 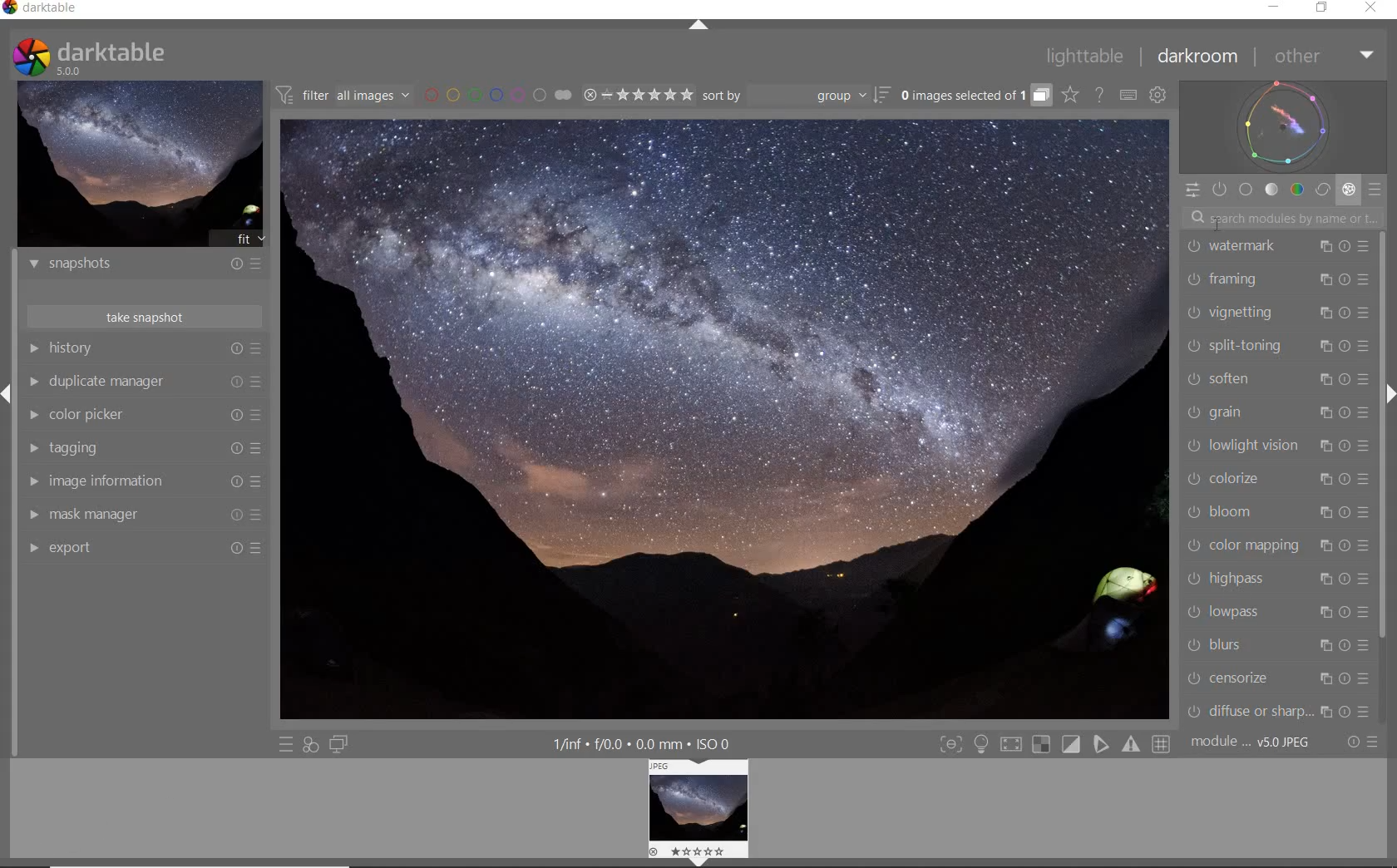 What do you see at coordinates (32, 550) in the screenshot?
I see `EXPORT` at bounding box center [32, 550].